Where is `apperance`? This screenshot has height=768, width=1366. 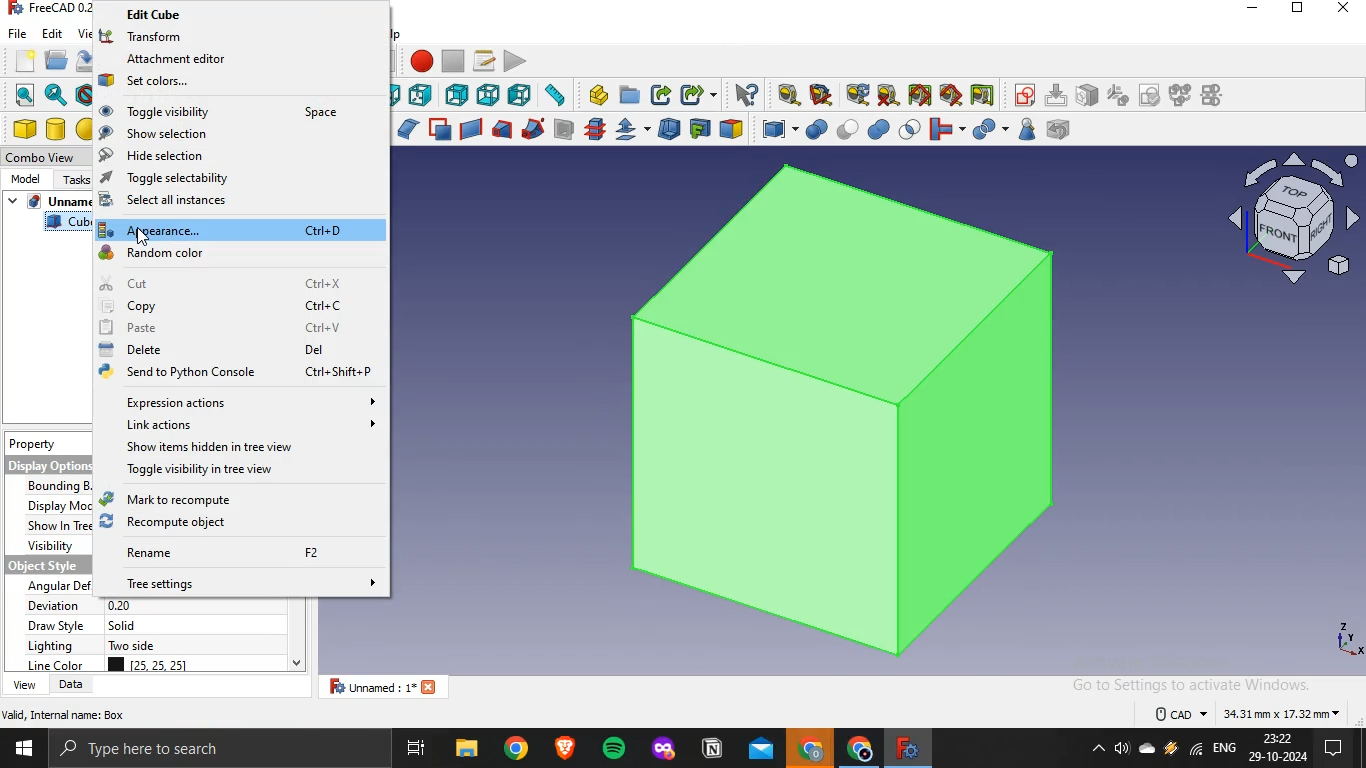
apperance is located at coordinates (238, 229).